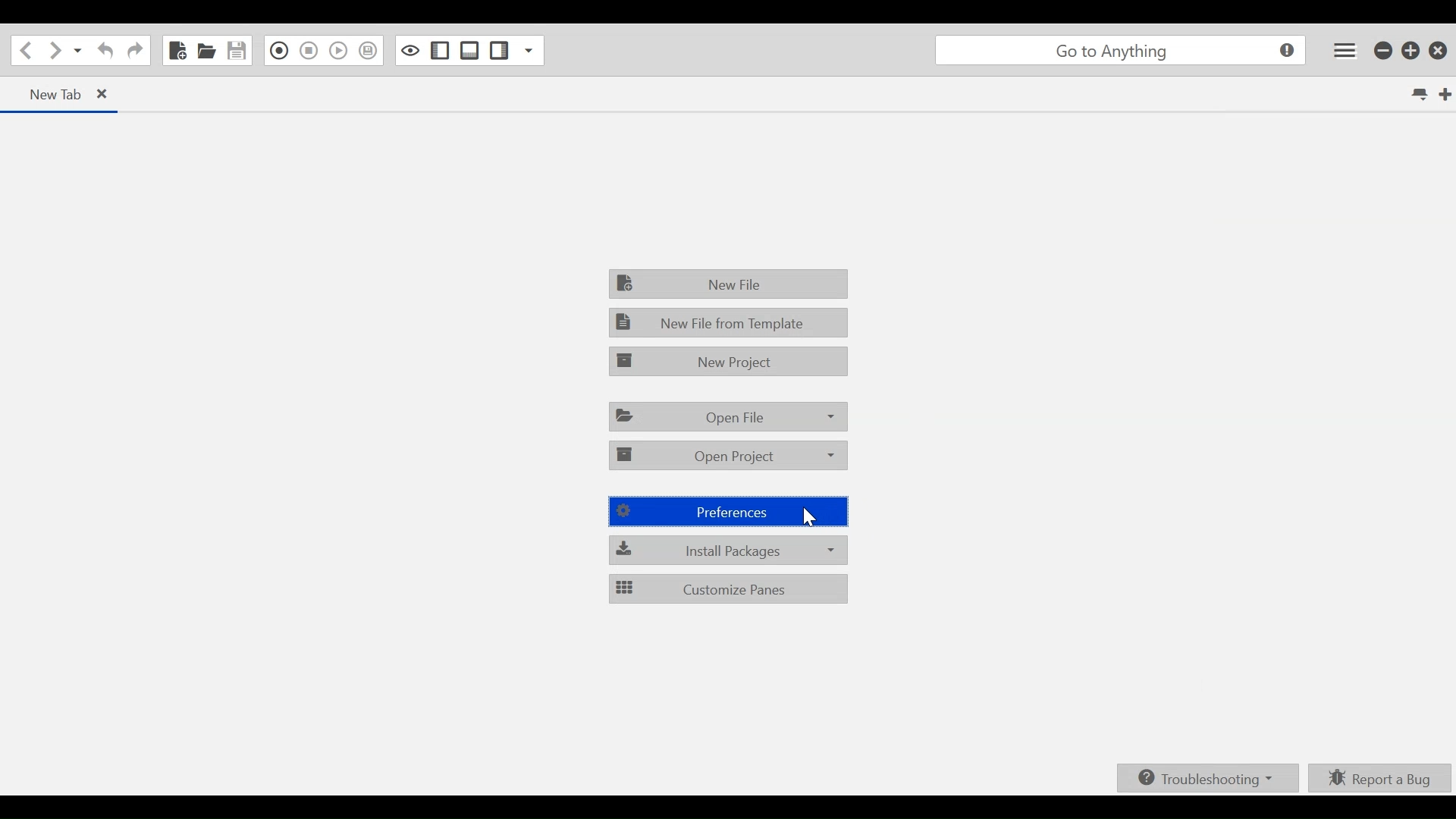 The width and height of the screenshot is (1456, 819). What do you see at coordinates (309, 52) in the screenshot?
I see `Stop Recording ` at bounding box center [309, 52].